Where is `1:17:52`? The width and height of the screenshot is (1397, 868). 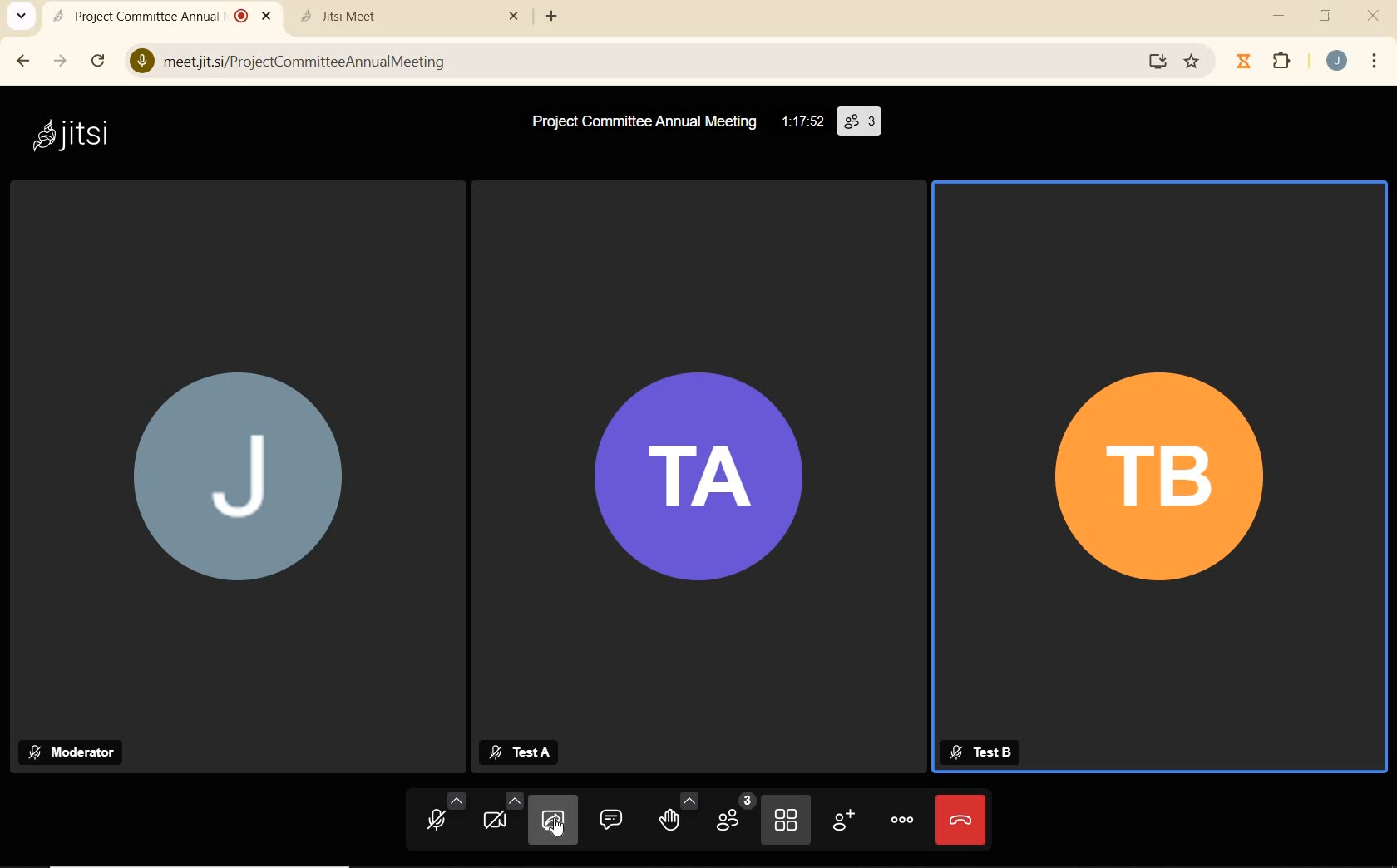 1:17:52 is located at coordinates (804, 121).